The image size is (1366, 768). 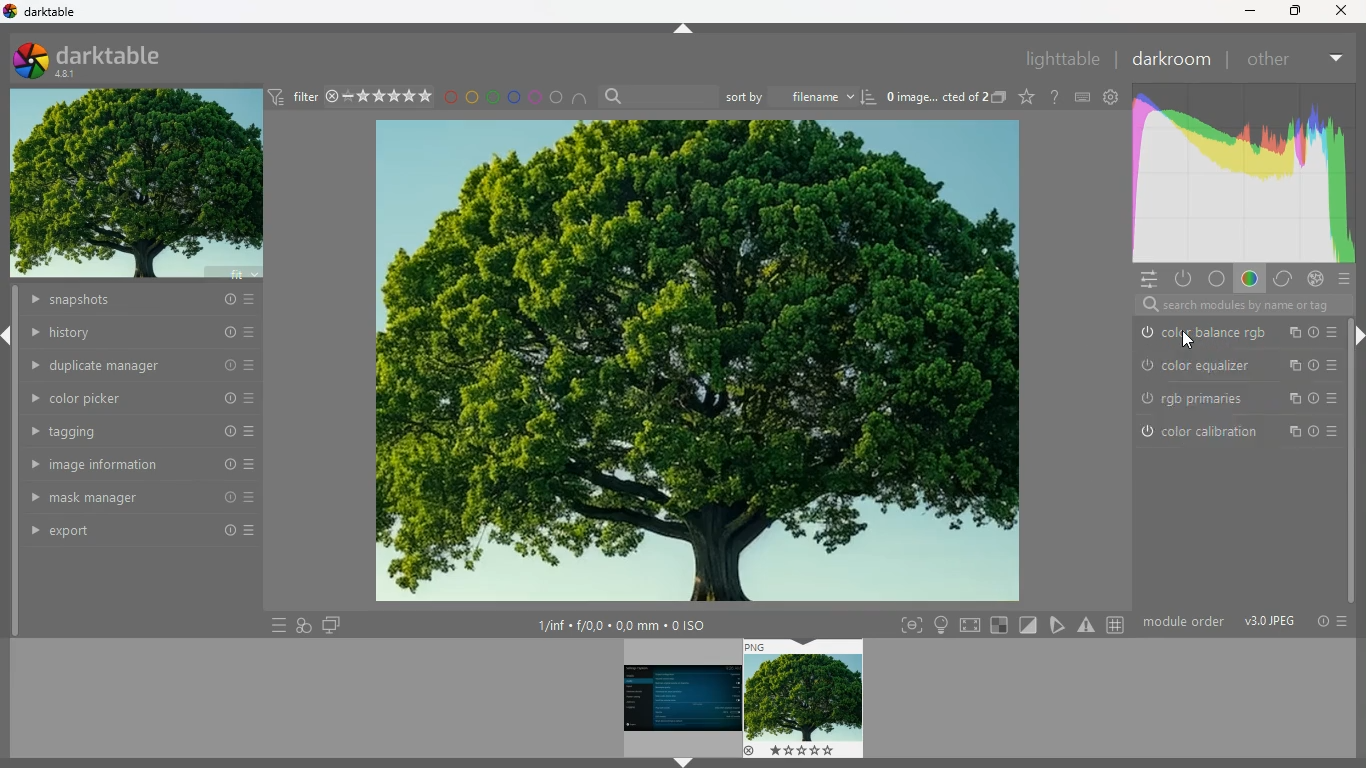 I want to click on circle, so click(x=1217, y=280).